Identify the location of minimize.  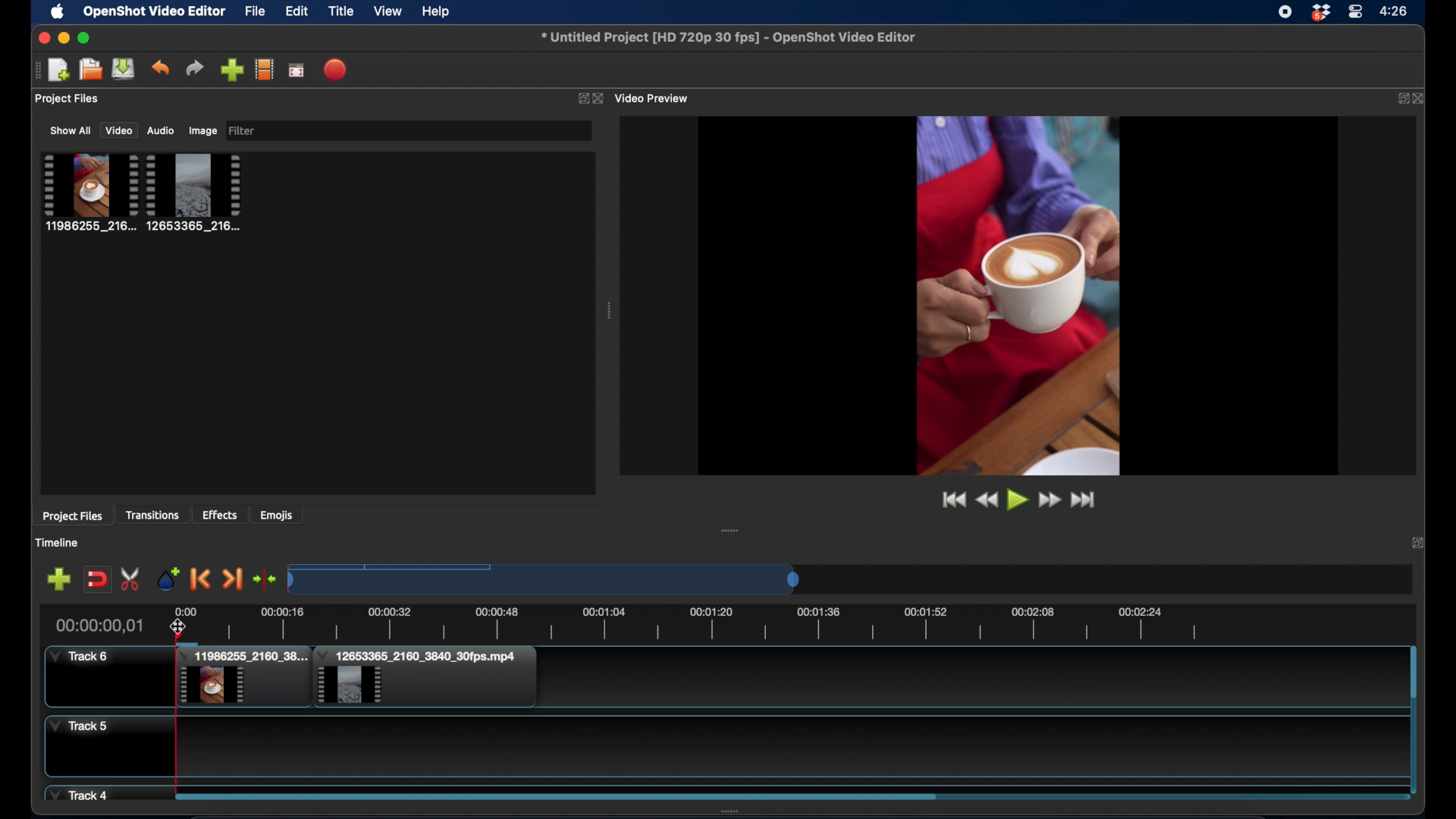
(63, 38).